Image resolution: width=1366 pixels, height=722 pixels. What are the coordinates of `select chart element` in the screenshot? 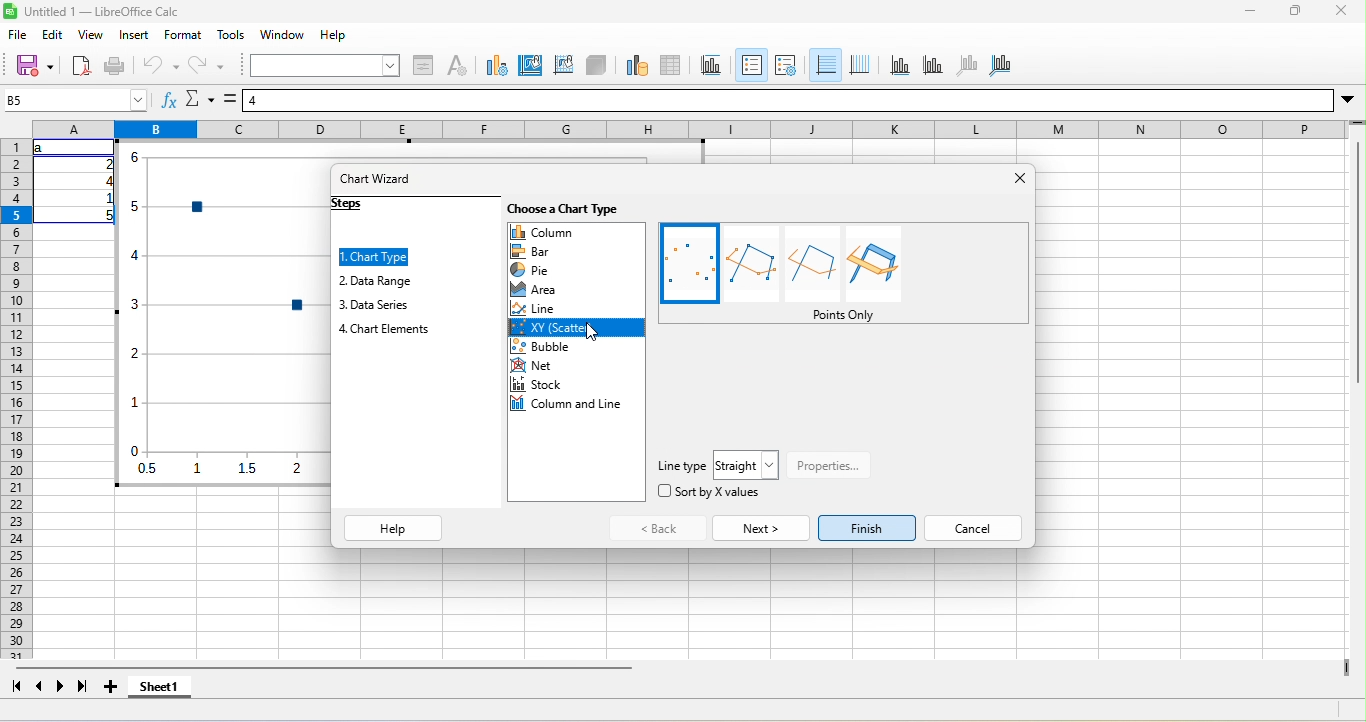 It's located at (326, 65).